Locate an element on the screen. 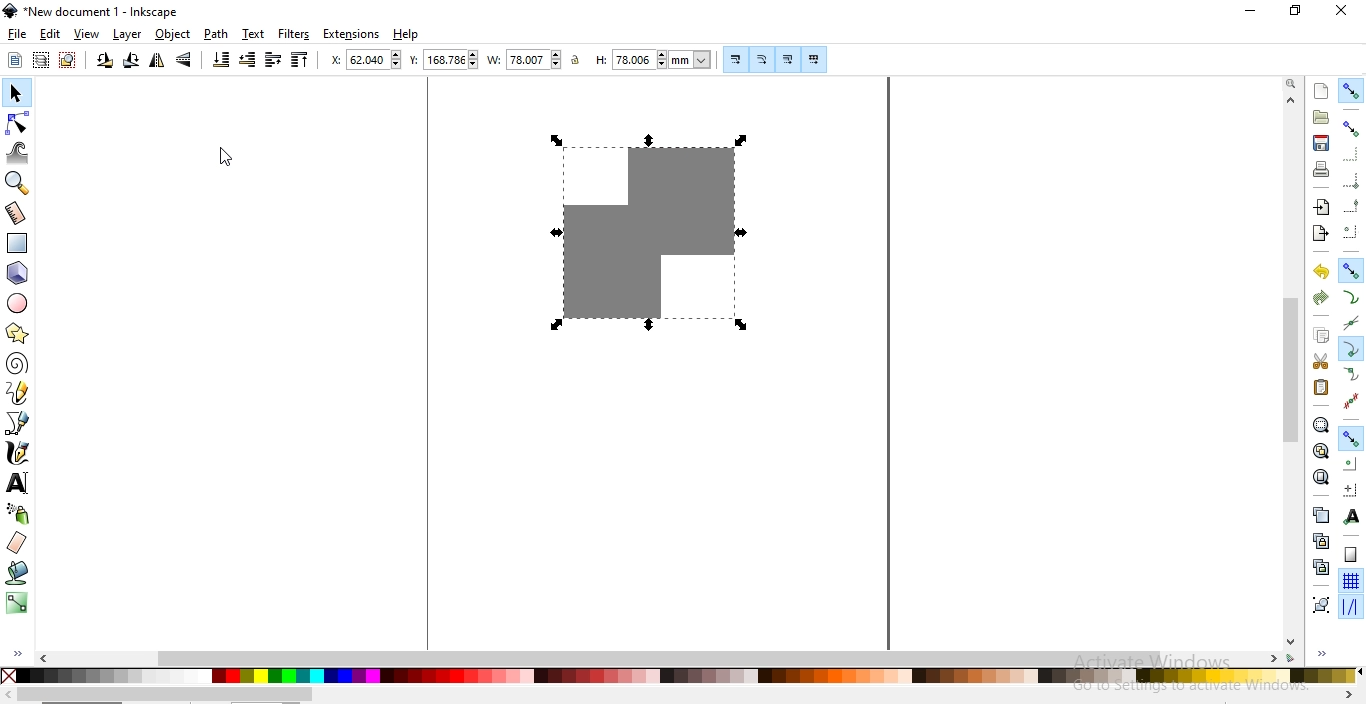 This screenshot has width=1366, height=704. path is located at coordinates (217, 34).